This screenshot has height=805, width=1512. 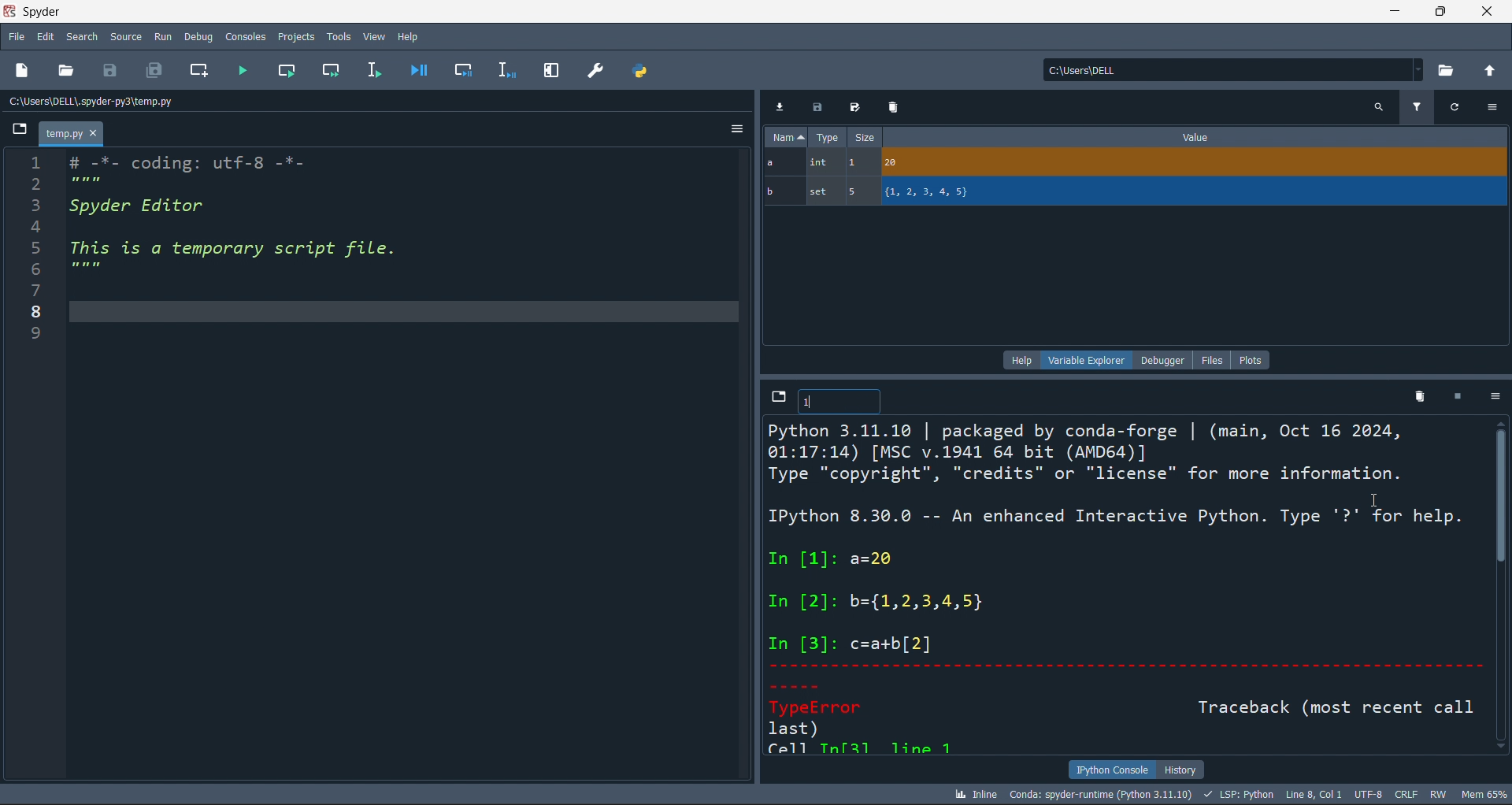 What do you see at coordinates (1165, 359) in the screenshot?
I see `debugger` at bounding box center [1165, 359].